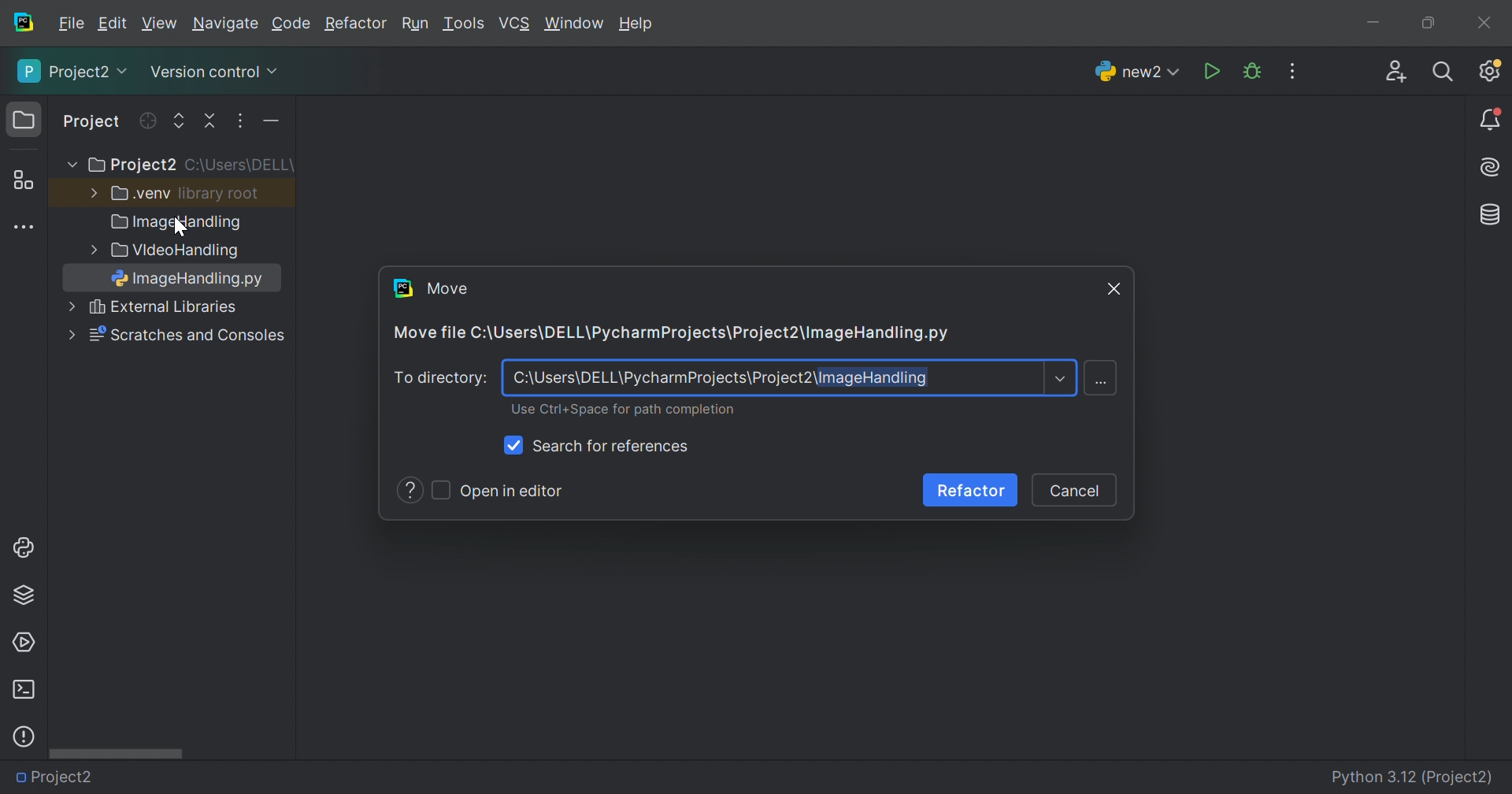 The height and width of the screenshot is (794, 1512). What do you see at coordinates (146, 121) in the screenshot?
I see `Refresh` at bounding box center [146, 121].